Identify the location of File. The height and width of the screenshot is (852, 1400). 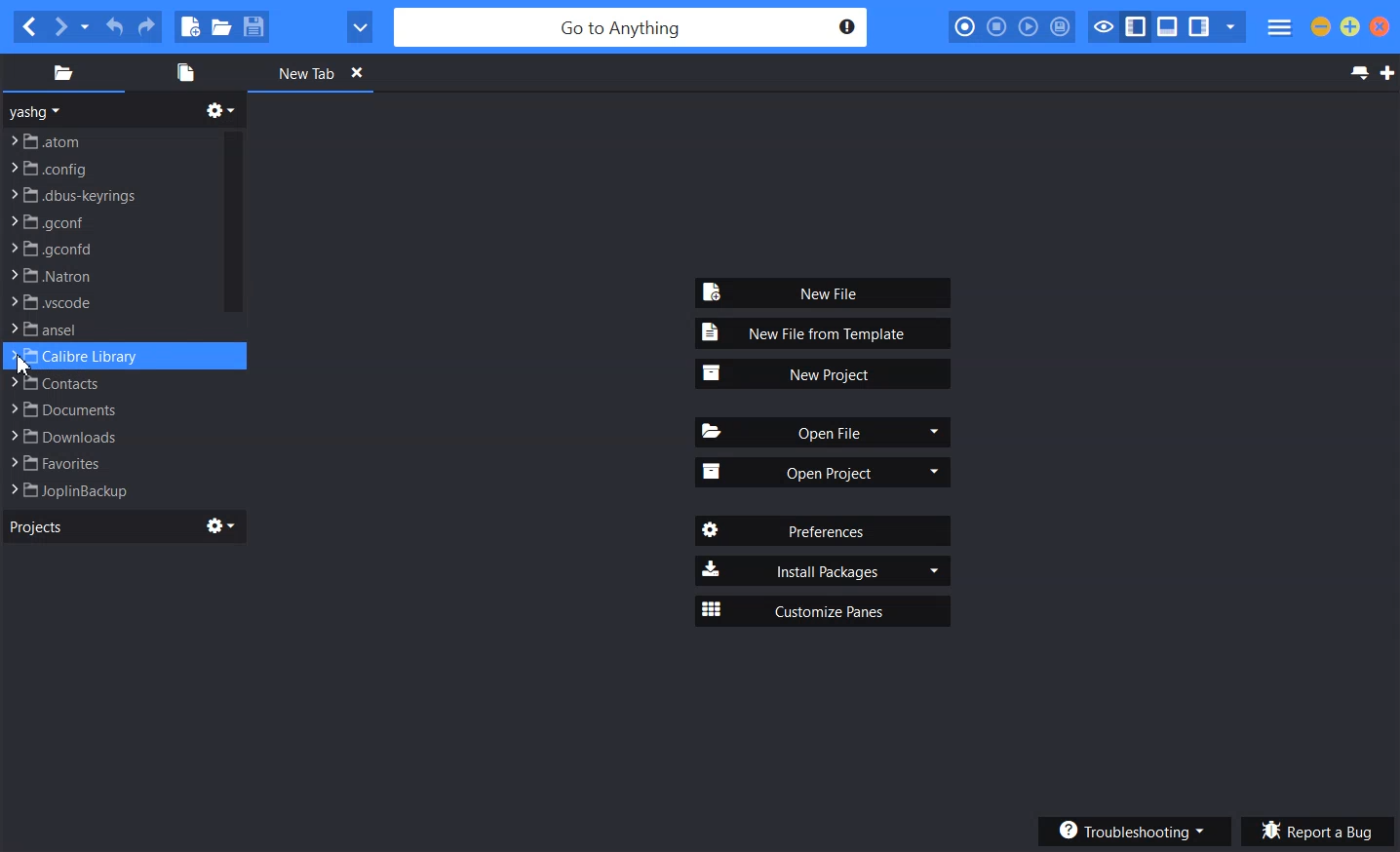
(106, 489).